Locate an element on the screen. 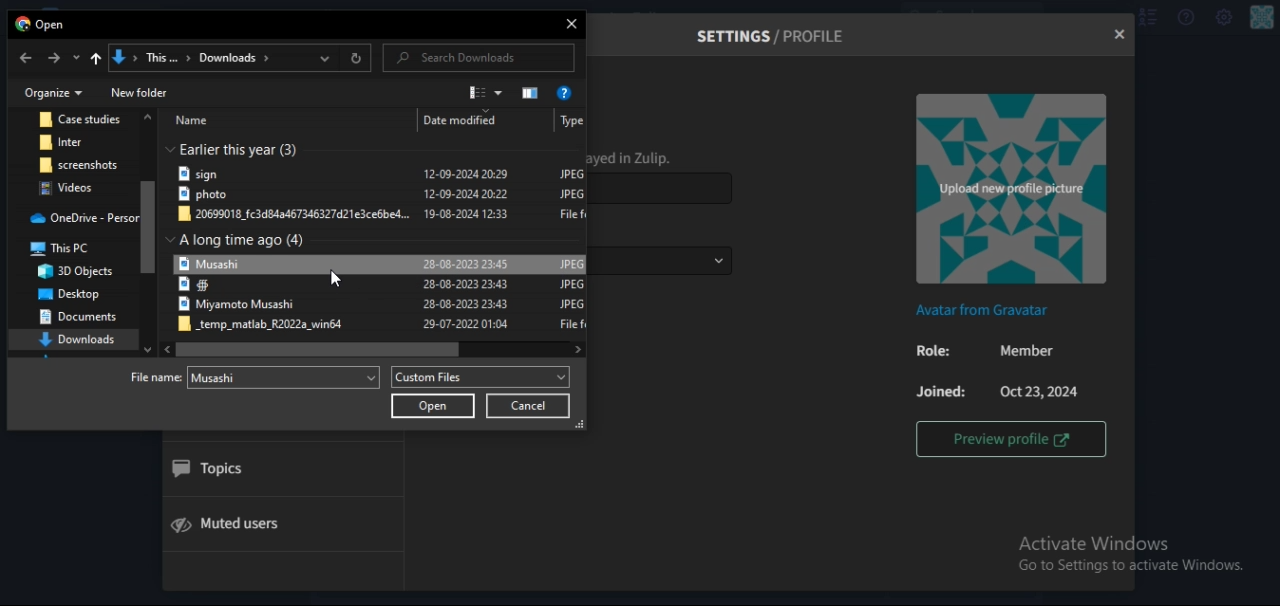 The image size is (1280, 606). file is located at coordinates (382, 215).